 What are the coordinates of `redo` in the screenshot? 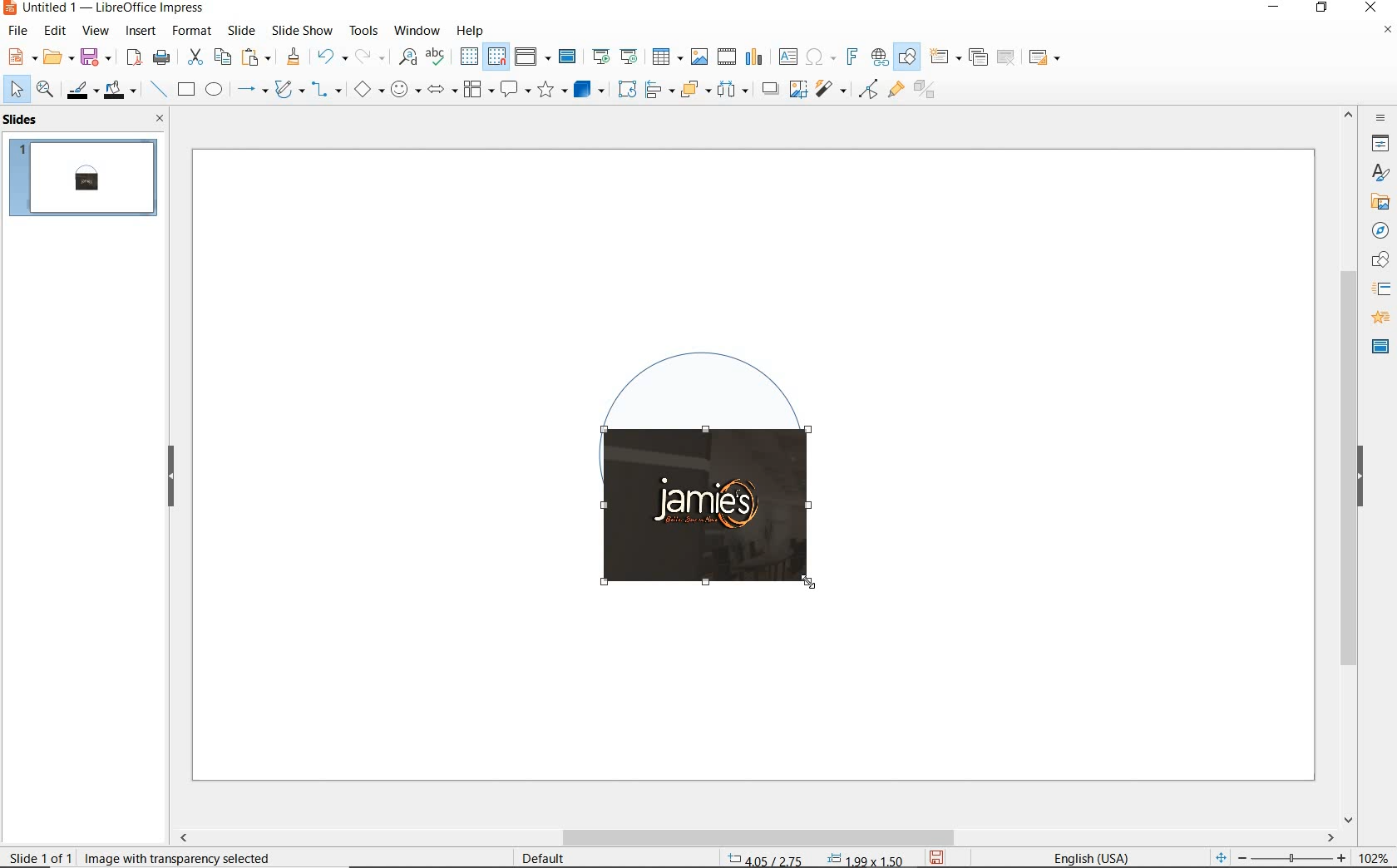 It's located at (369, 57).